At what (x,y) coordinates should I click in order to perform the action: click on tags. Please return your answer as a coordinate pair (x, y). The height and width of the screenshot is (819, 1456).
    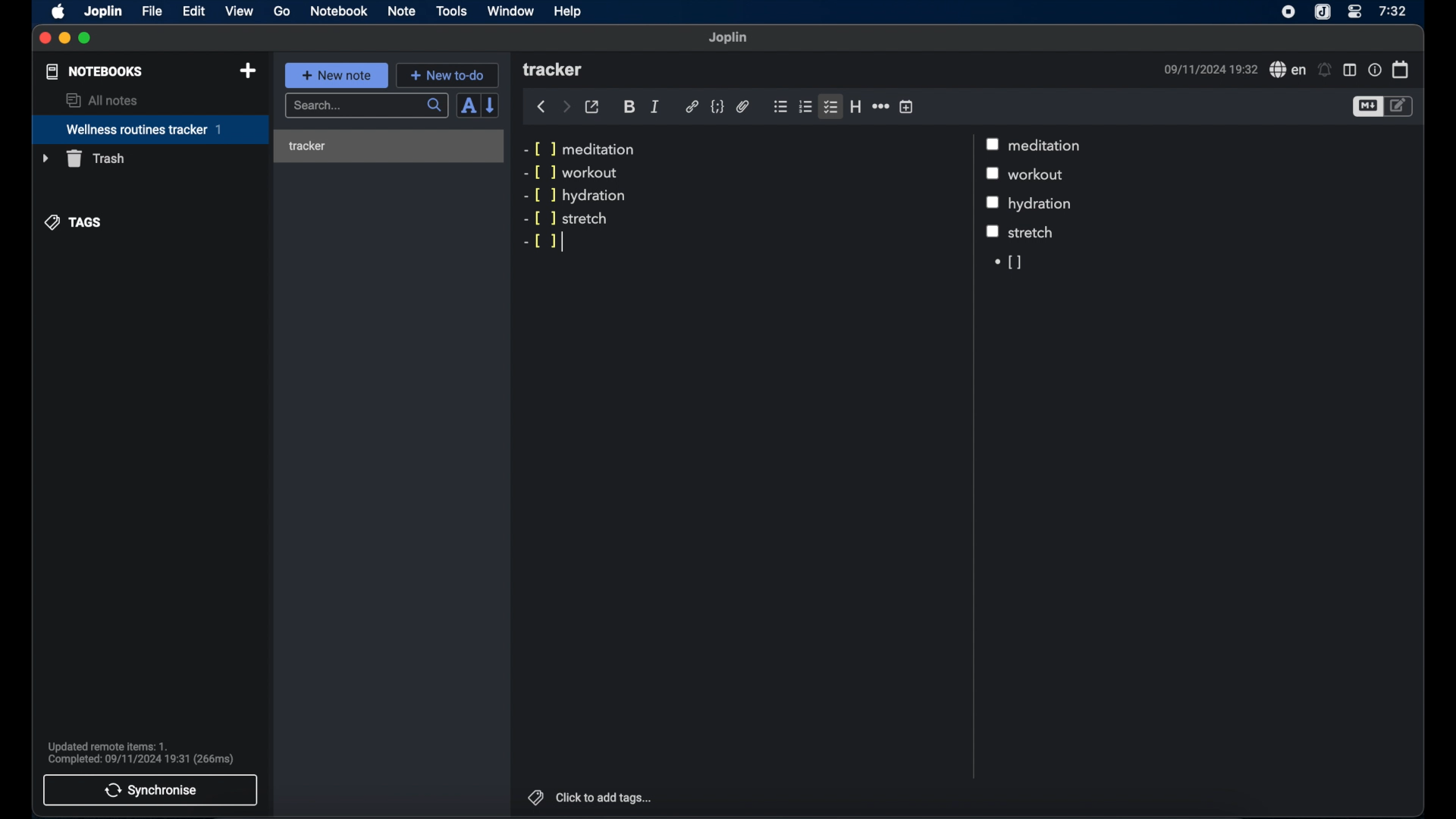
    Looking at the image, I should click on (74, 223).